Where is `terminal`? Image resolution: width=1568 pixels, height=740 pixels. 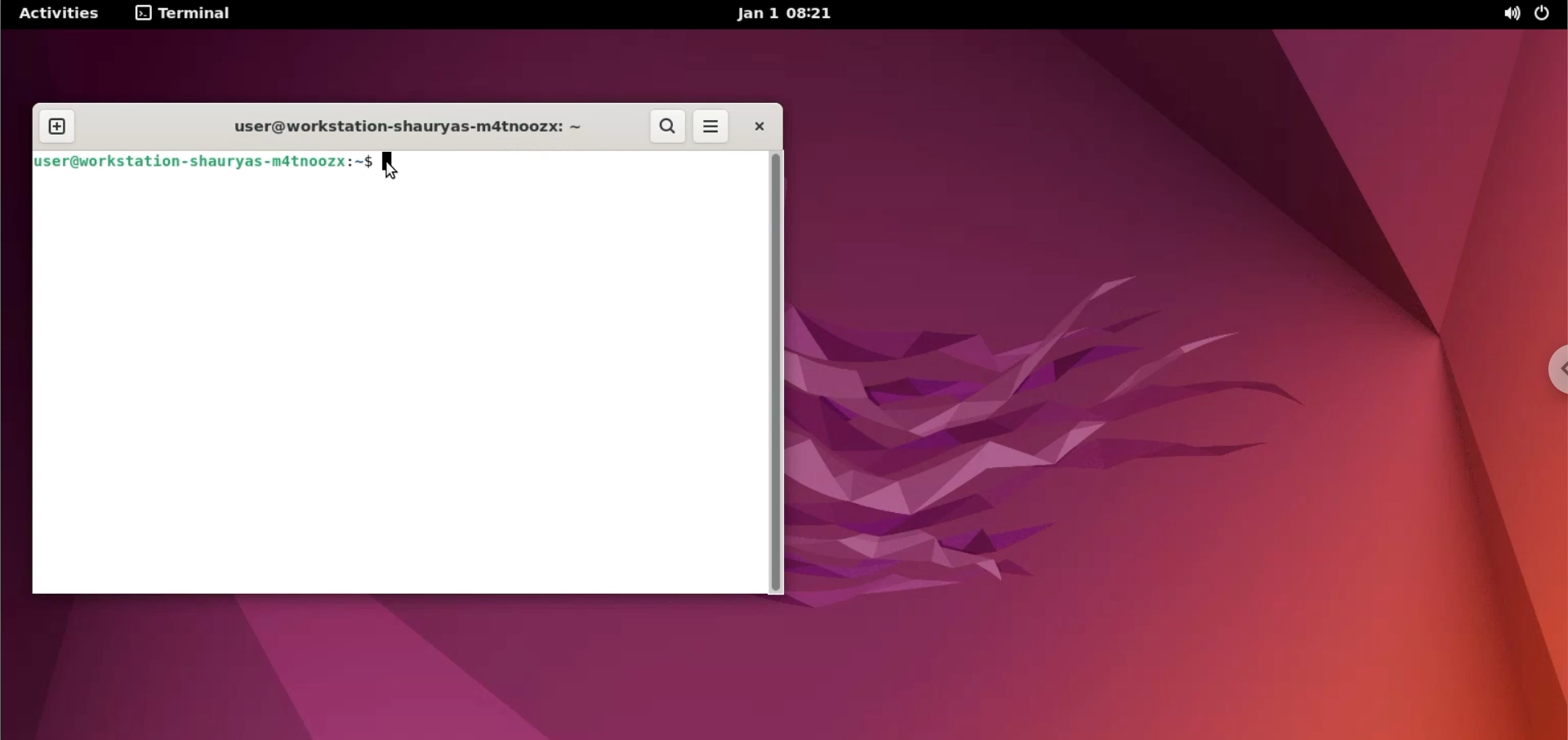
terminal is located at coordinates (187, 15).